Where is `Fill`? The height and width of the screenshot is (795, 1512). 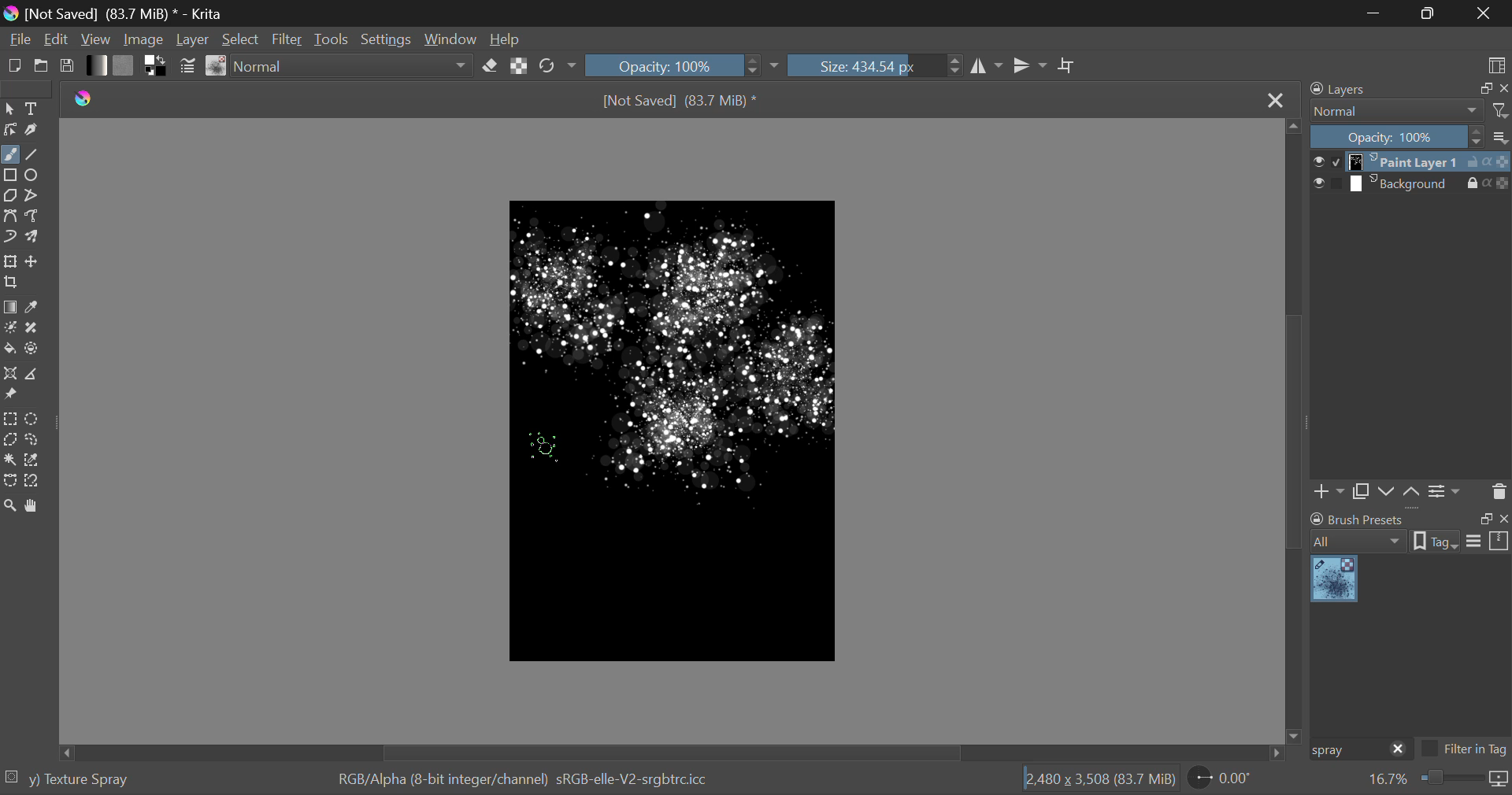
Fill is located at coordinates (9, 349).